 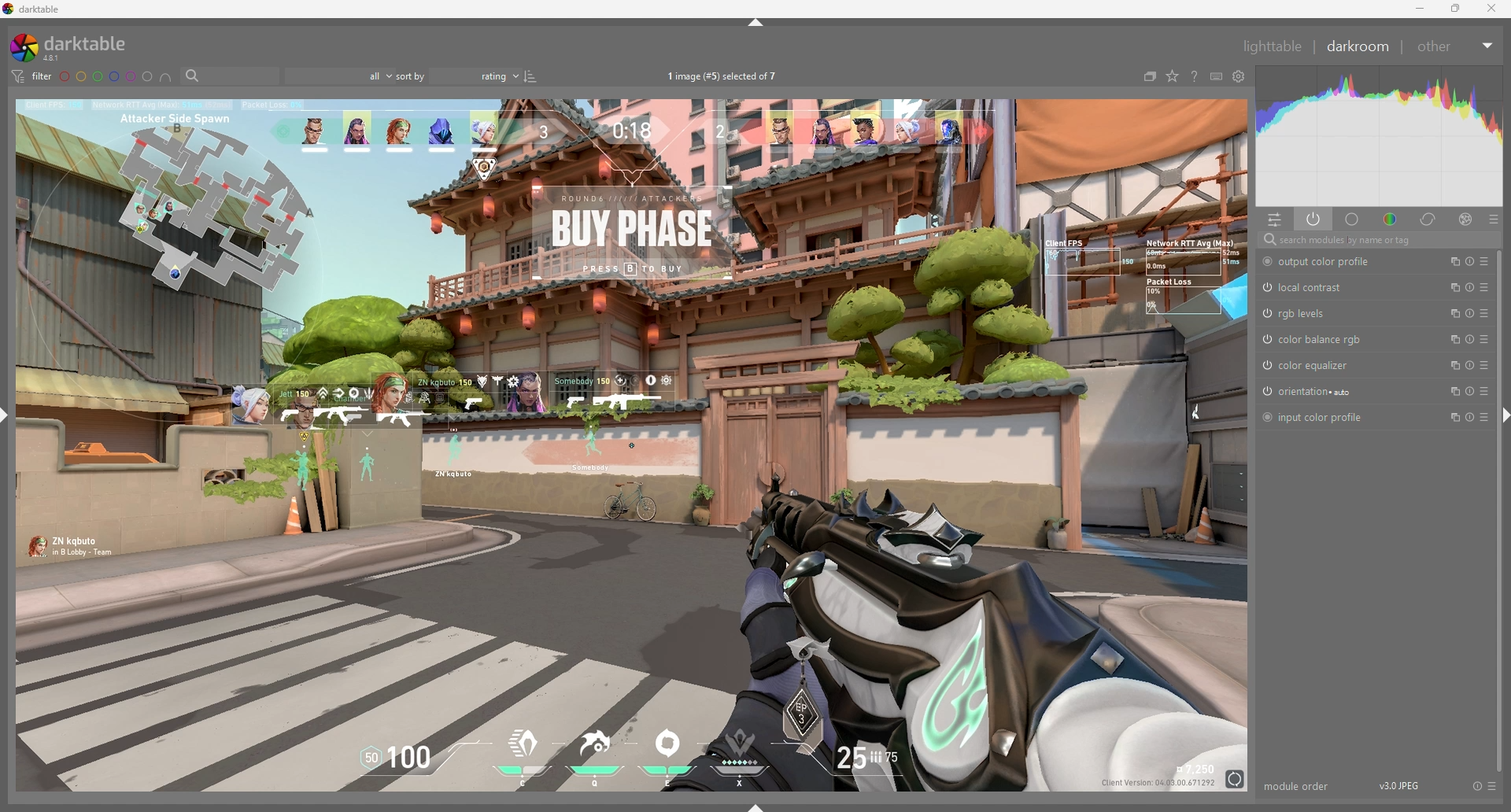 I want to click on color balance rgb, so click(x=1314, y=339).